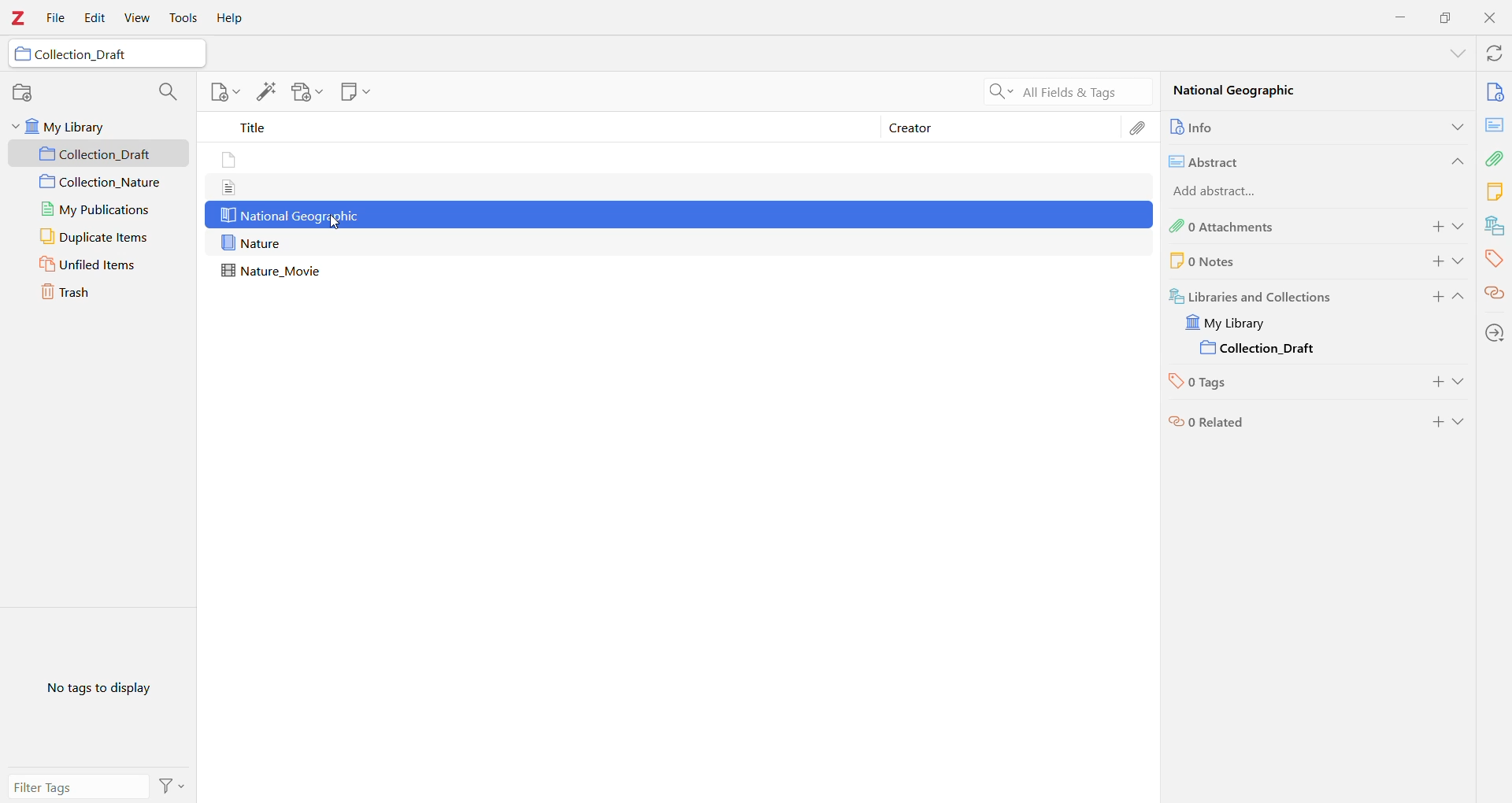  I want to click on New Collection, so click(23, 94).